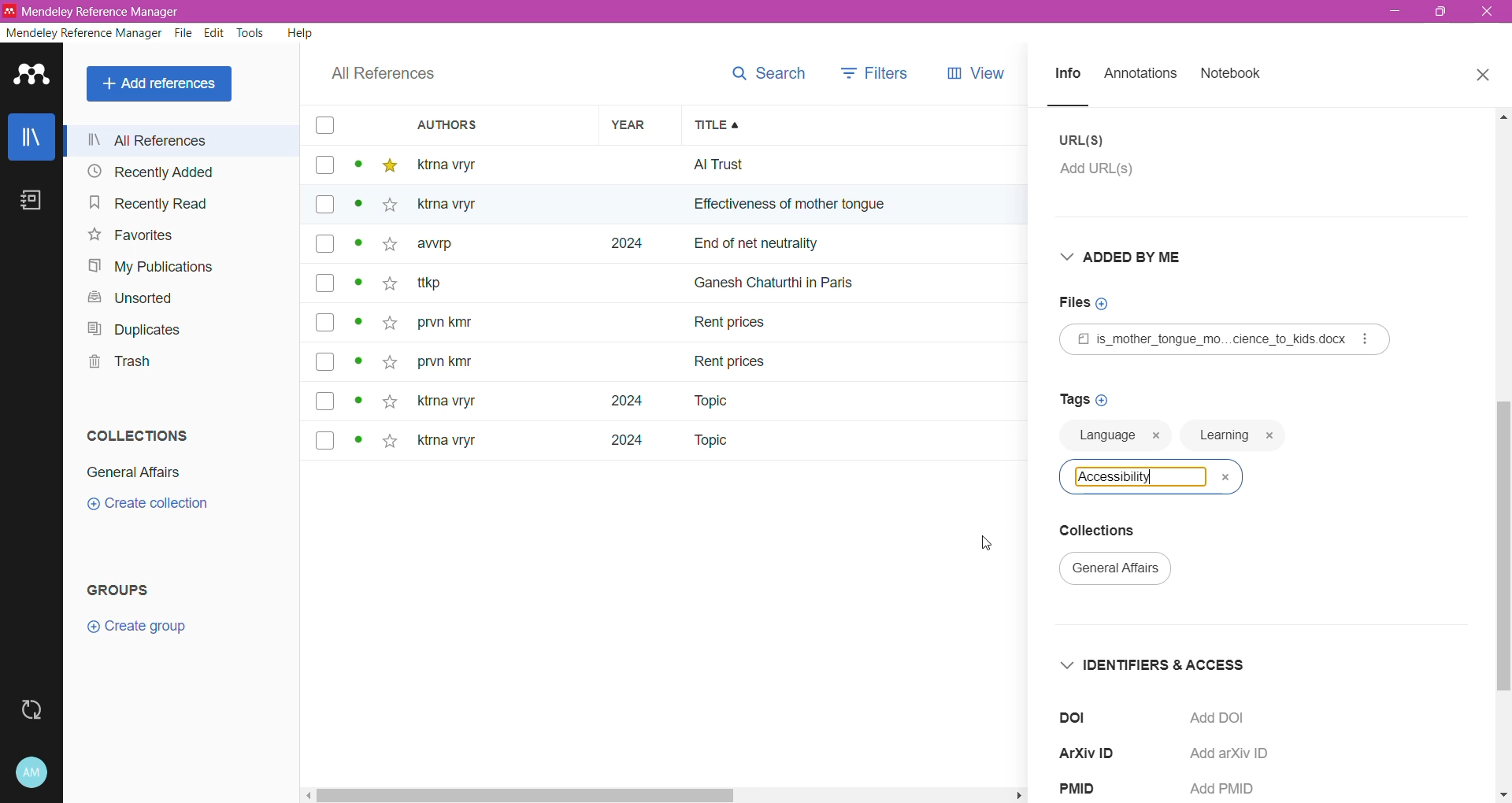 The height and width of the screenshot is (803, 1512). Describe the element at coordinates (1236, 754) in the screenshot. I see `Add arXiv ID` at that location.